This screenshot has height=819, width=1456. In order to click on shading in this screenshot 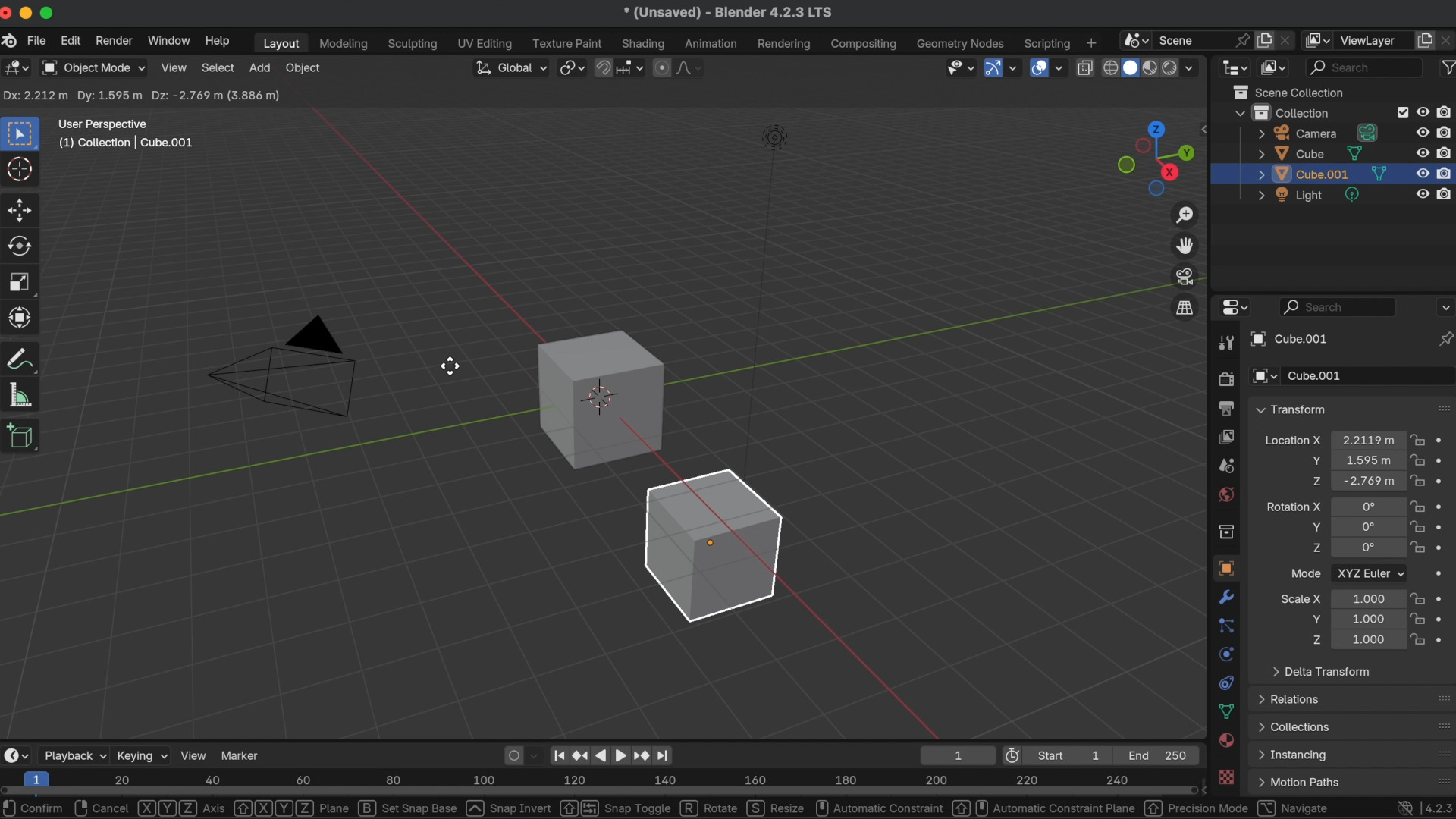, I will do `click(1196, 67)`.